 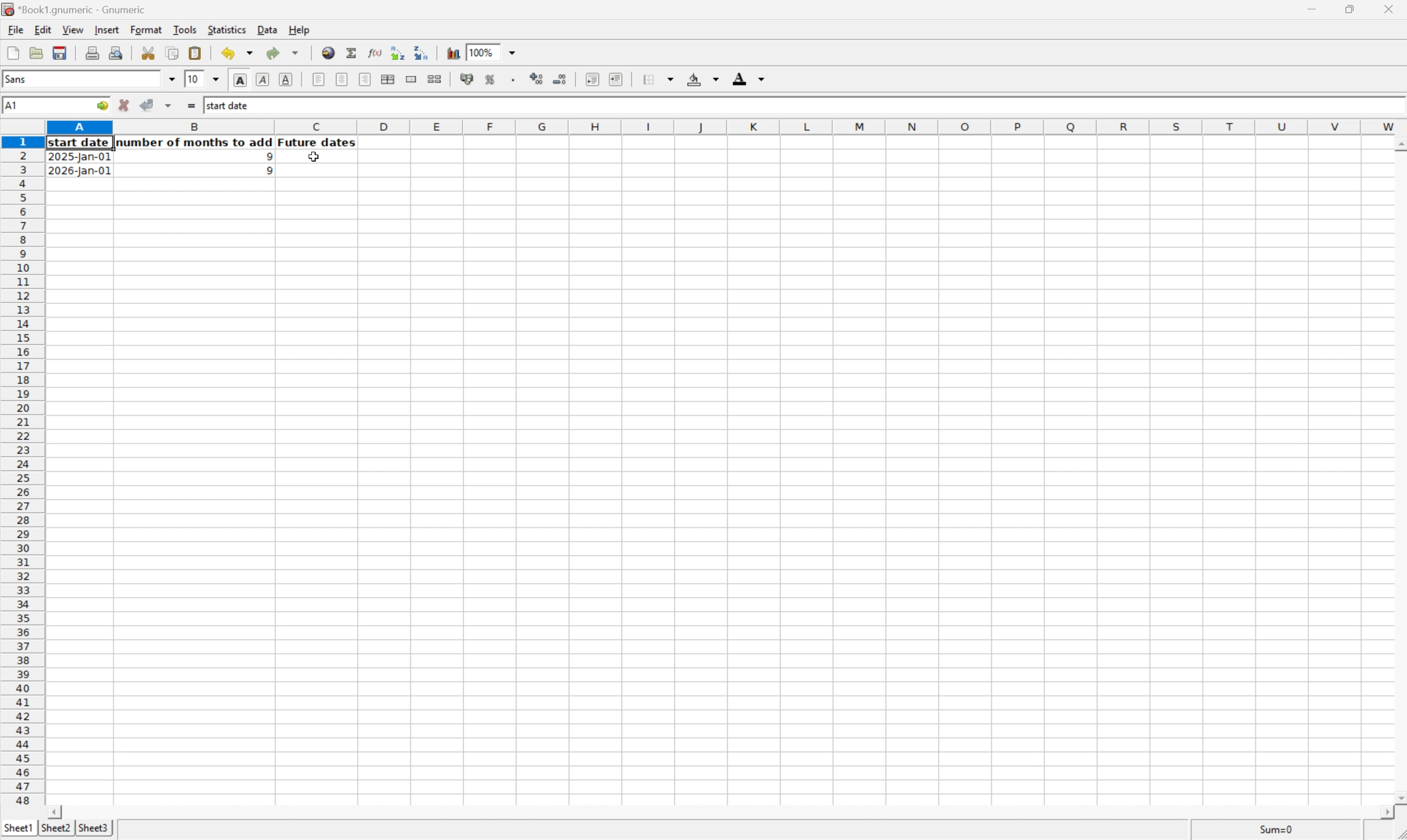 I want to click on Underline, so click(x=288, y=79).